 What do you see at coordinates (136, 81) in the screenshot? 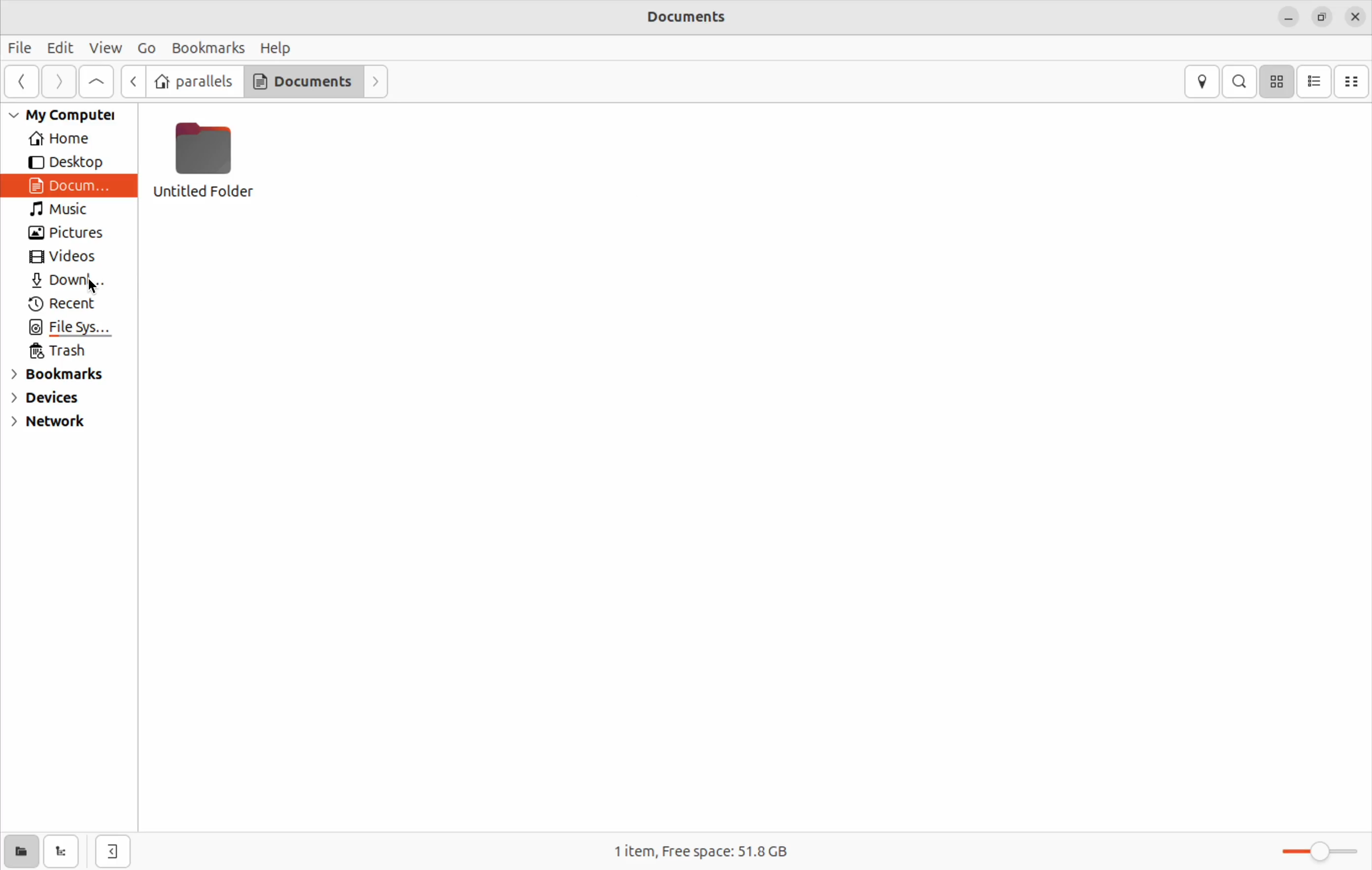
I see `back` at bounding box center [136, 81].